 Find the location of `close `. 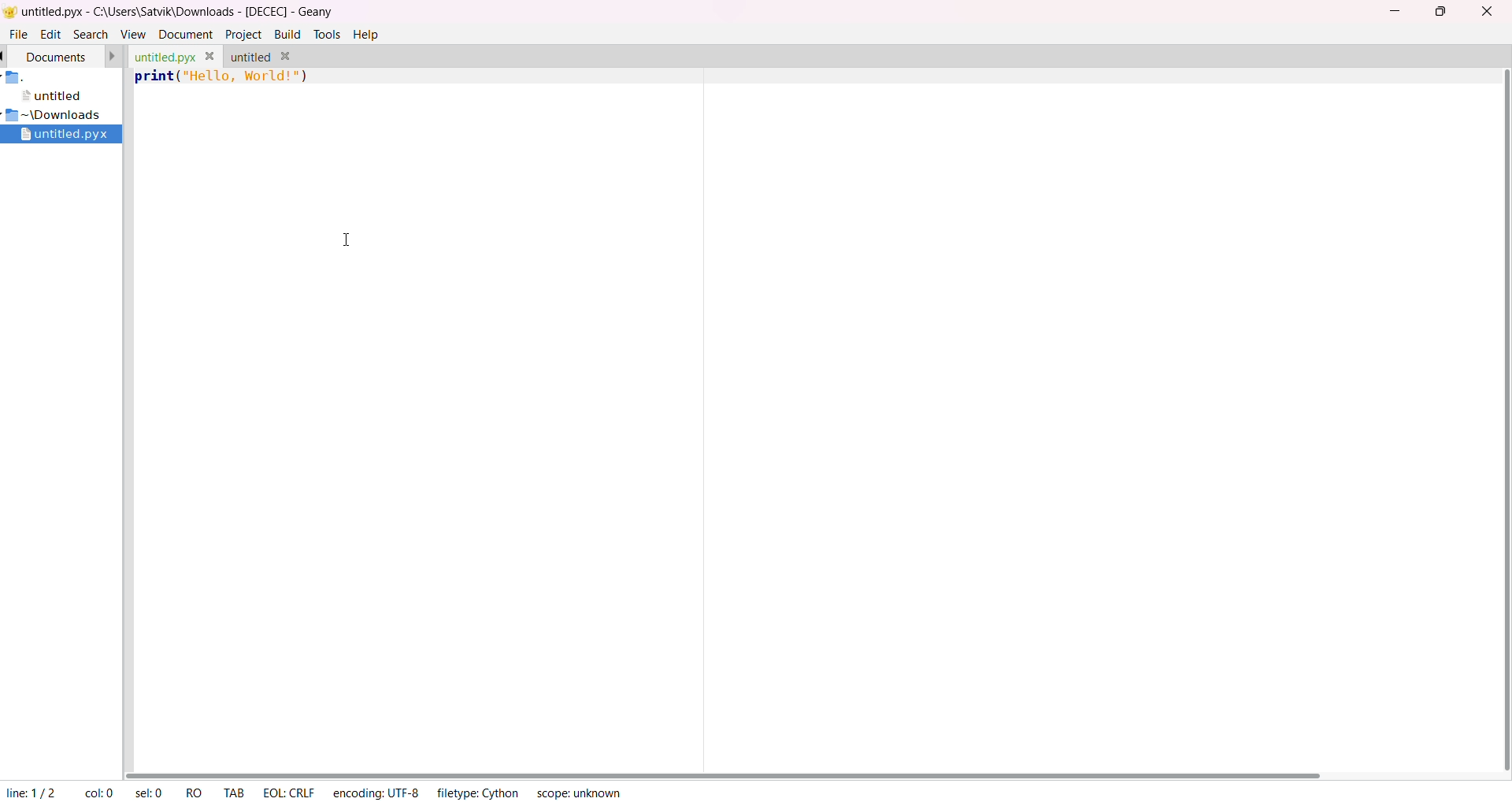

close  is located at coordinates (211, 56).